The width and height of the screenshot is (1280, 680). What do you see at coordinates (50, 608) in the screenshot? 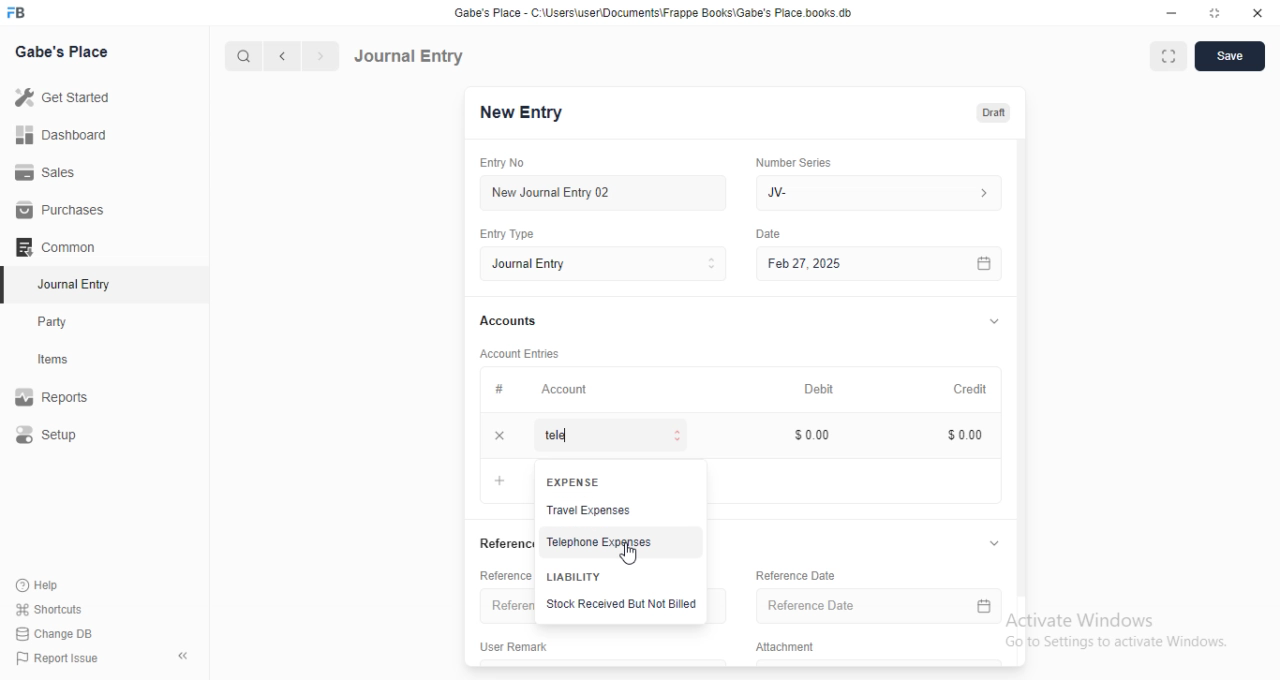
I see `' Shortcuts` at bounding box center [50, 608].